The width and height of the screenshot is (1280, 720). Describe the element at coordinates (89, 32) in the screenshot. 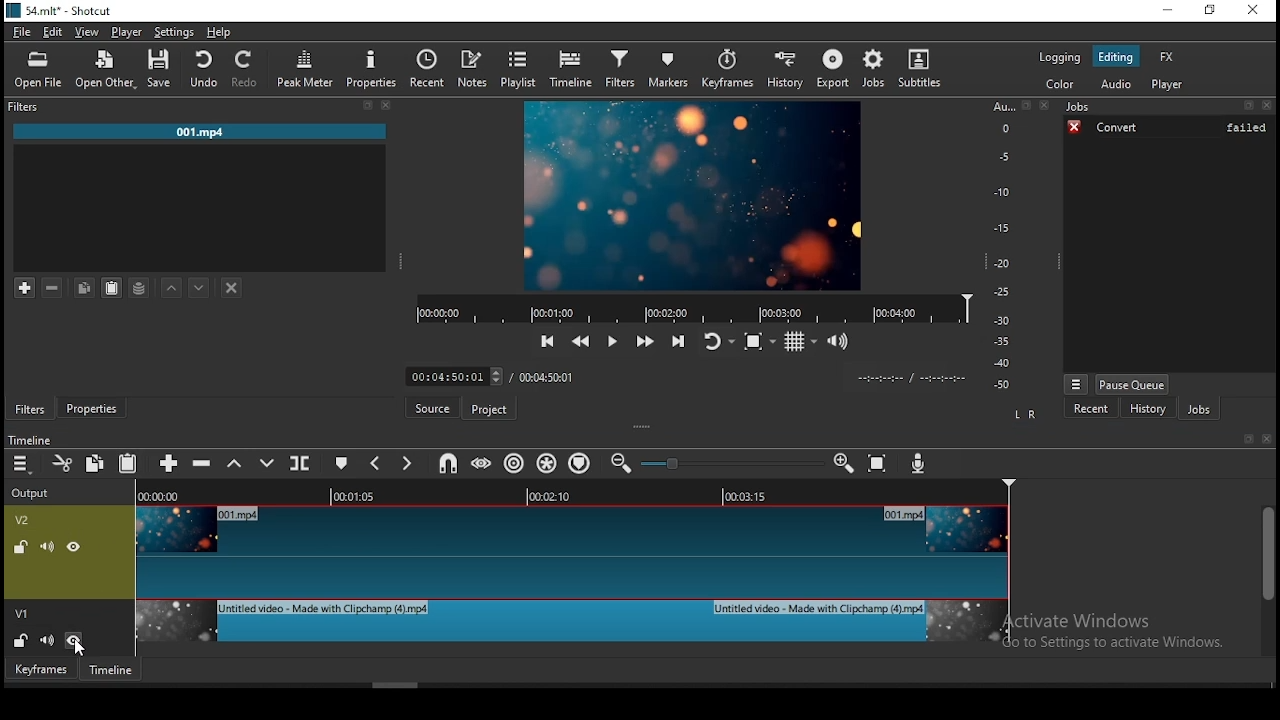

I see `view` at that location.